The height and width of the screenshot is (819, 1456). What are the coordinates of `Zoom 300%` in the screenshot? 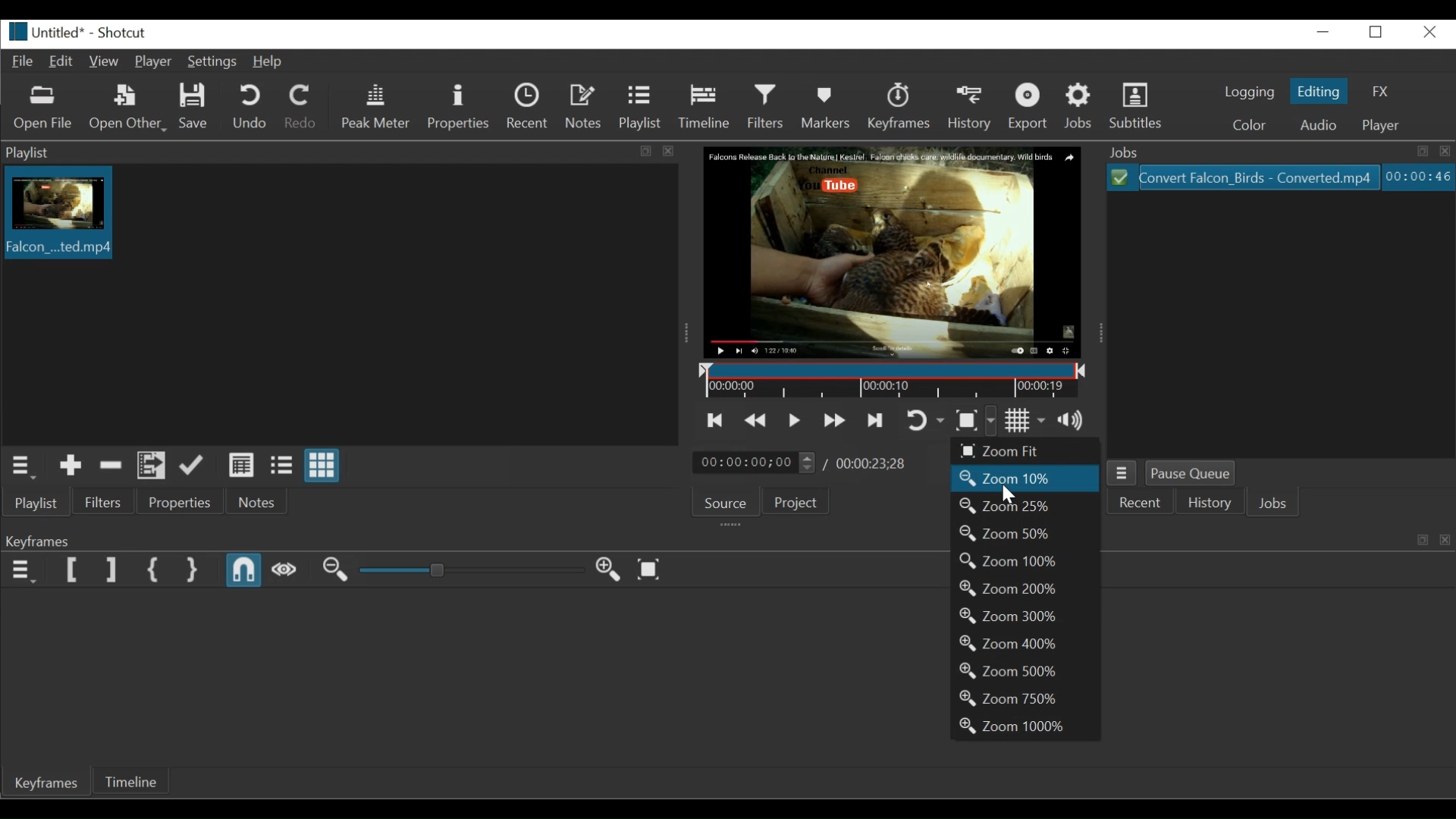 It's located at (1025, 616).